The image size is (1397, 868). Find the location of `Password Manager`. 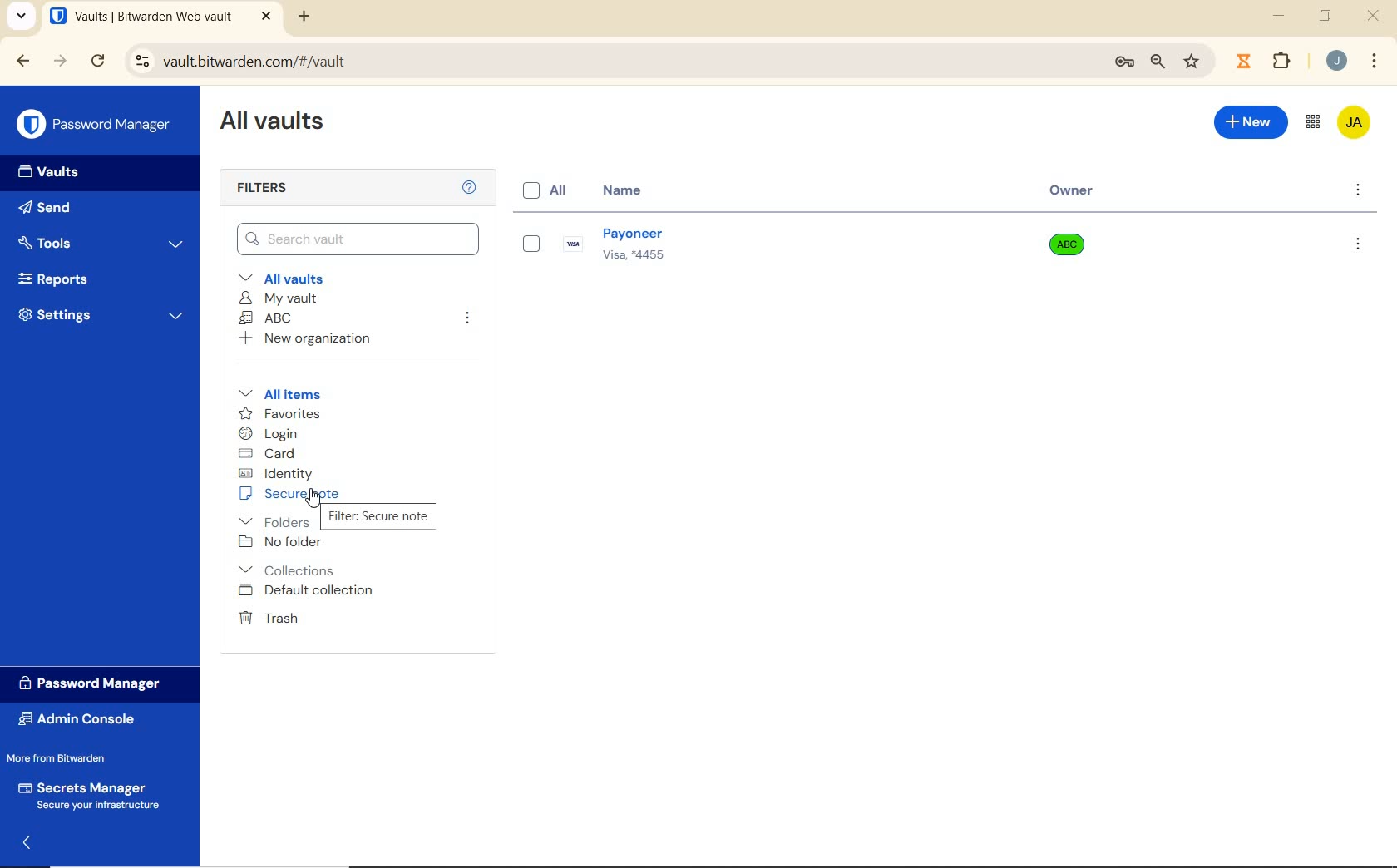

Password Manager is located at coordinates (95, 125).